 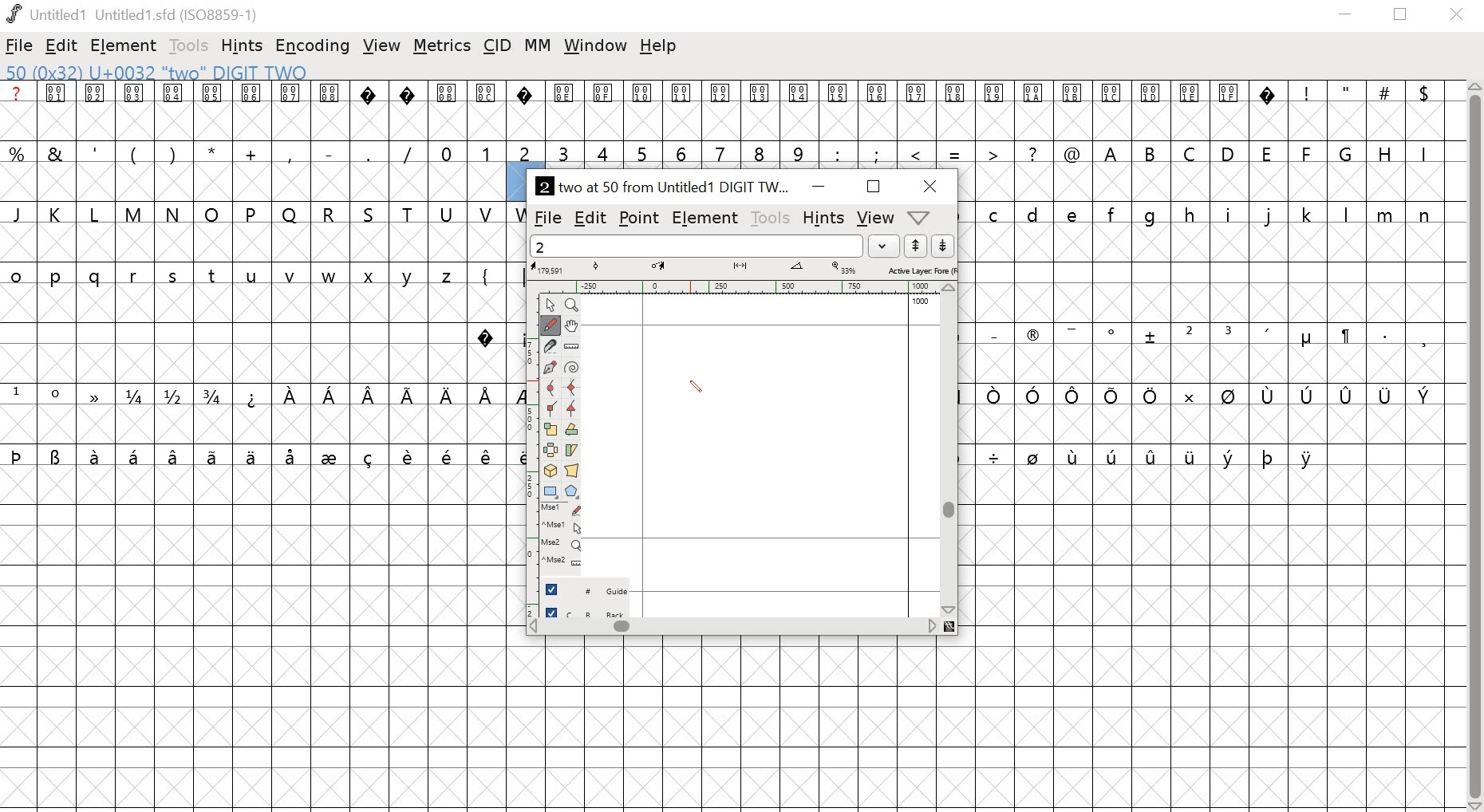 What do you see at coordinates (552, 430) in the screenshot?
I see `scale` at bounding box center [552, 430].